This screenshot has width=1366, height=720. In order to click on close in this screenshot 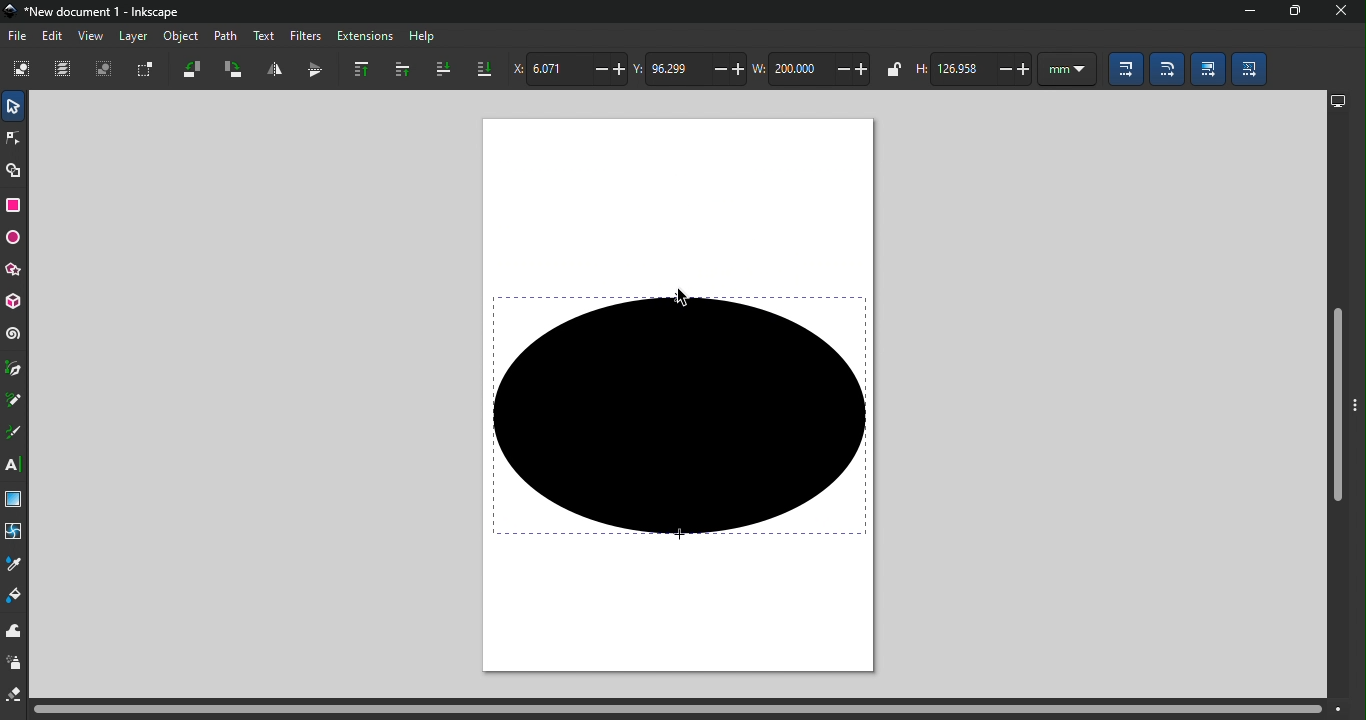, I will do `click(1344, 13)`.